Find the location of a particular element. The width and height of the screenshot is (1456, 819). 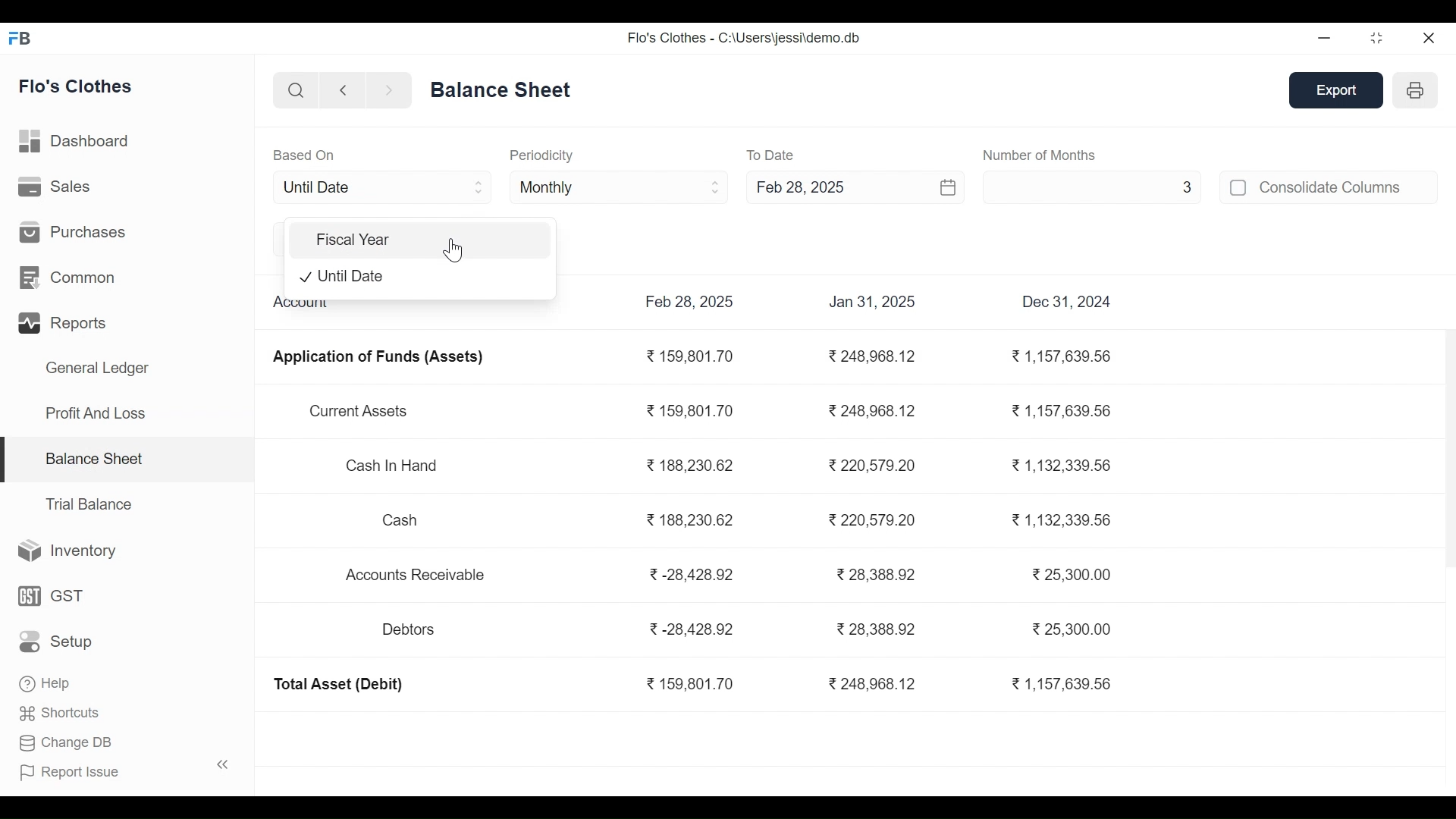

Shortcuts is located at coordinates (61, 711).